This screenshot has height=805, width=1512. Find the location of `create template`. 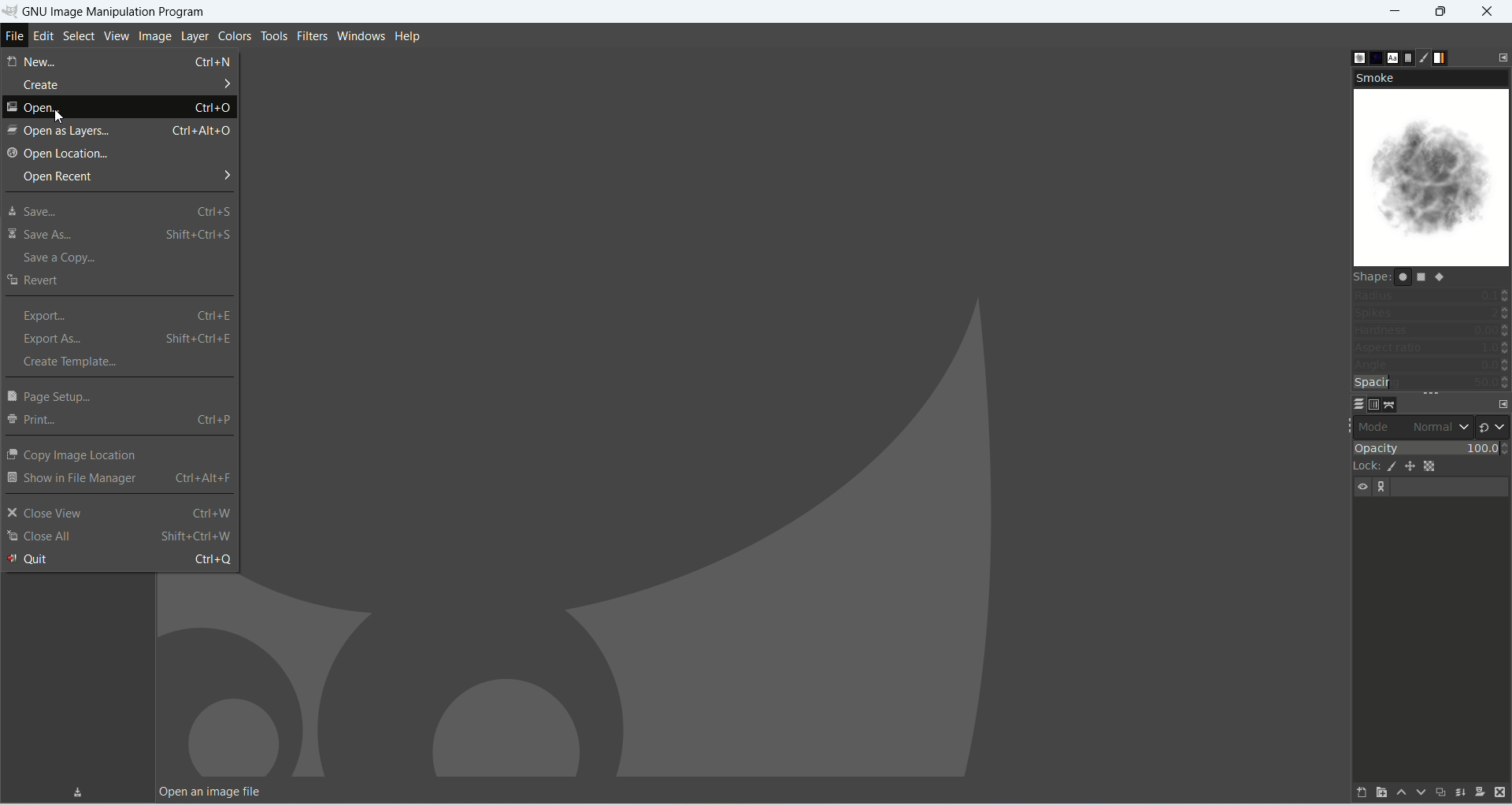

create template is located at coordinates (72, 362).